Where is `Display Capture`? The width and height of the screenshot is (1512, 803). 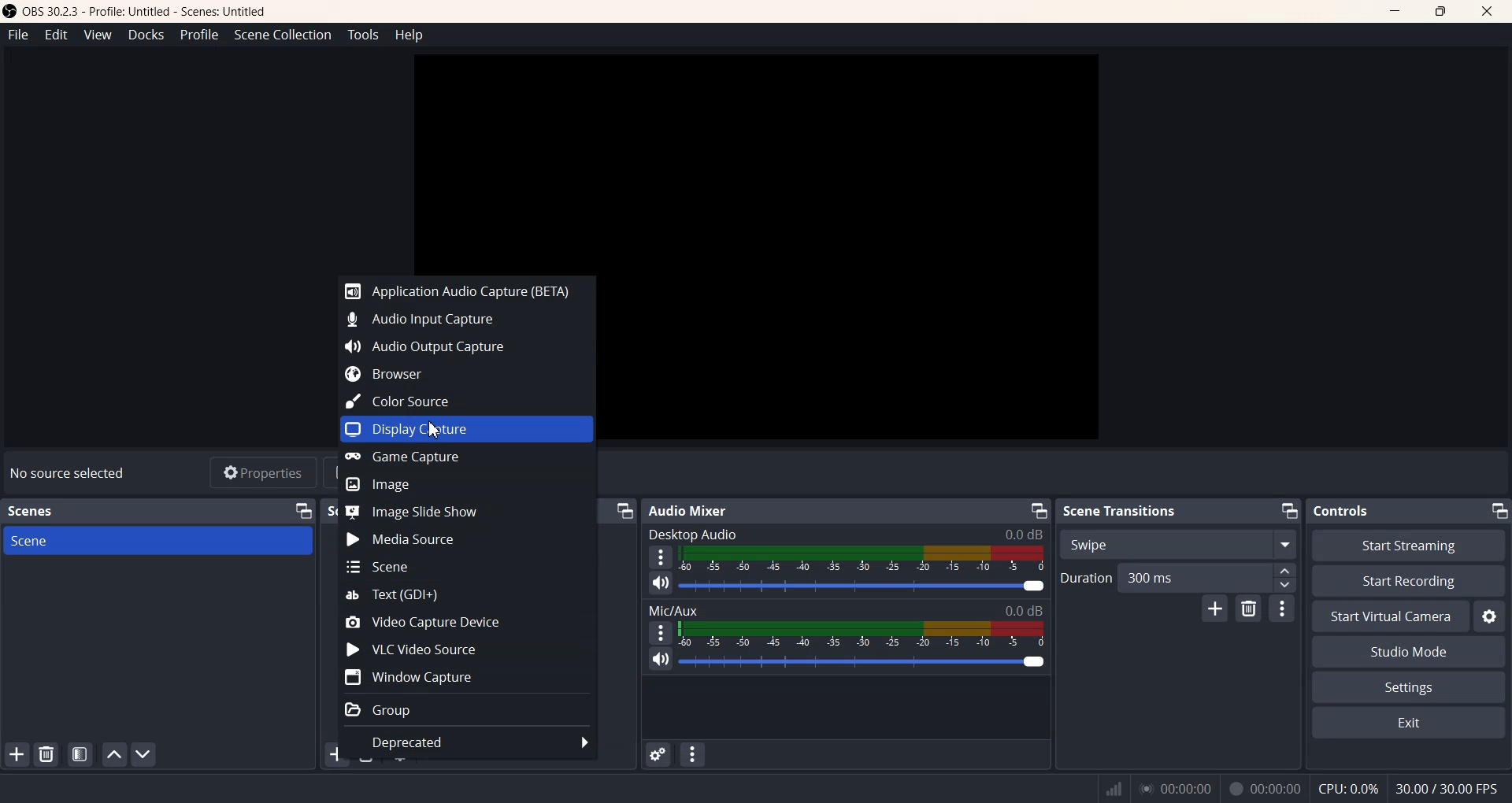
Display Capture is located at coordinates (467, 429).